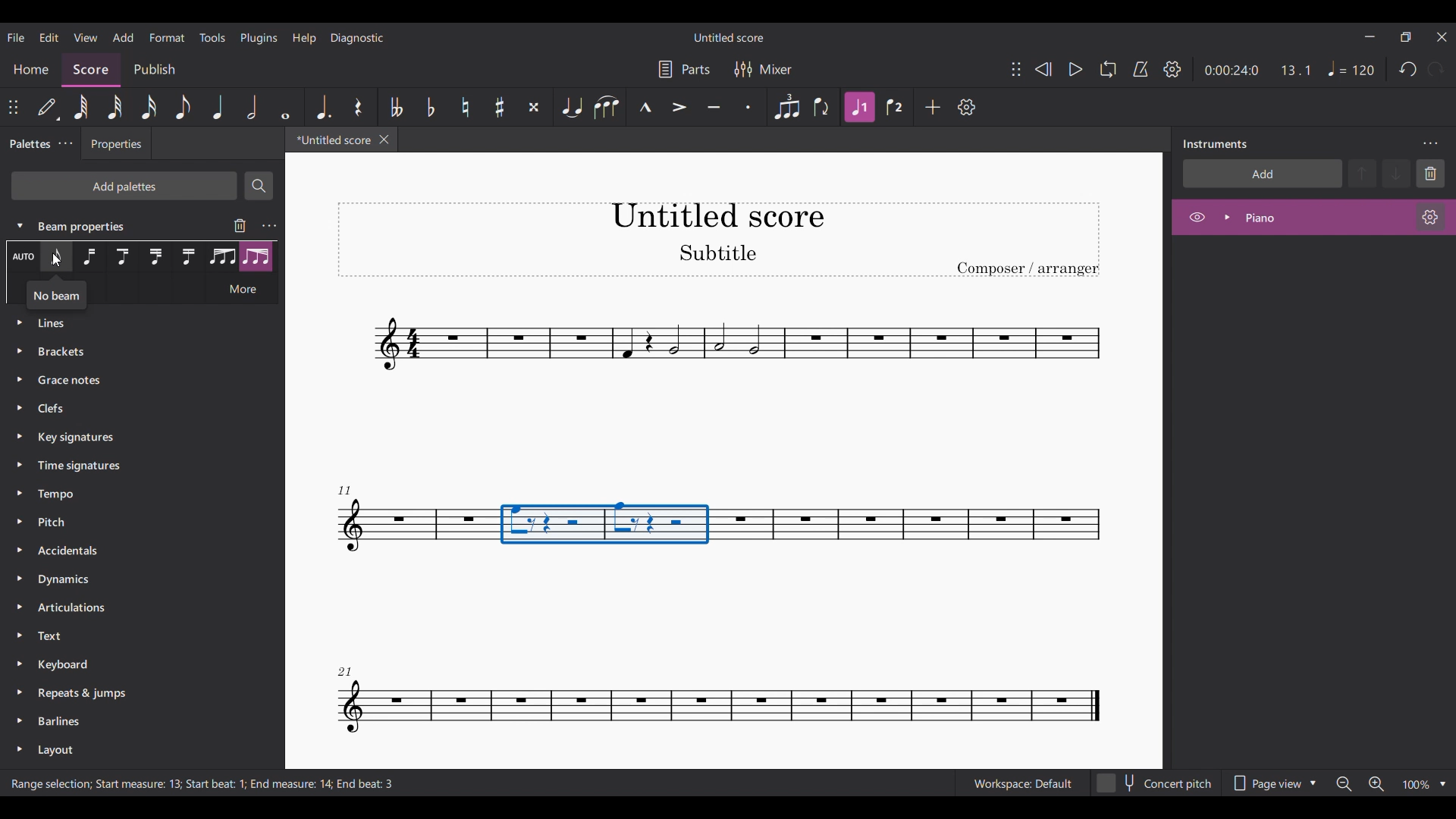 Image resolution: width=1456 pixels, height=819 pixels. Describe the element at coordinates (1172, 69) in the screenshot. I see `Playback settings` at that location.